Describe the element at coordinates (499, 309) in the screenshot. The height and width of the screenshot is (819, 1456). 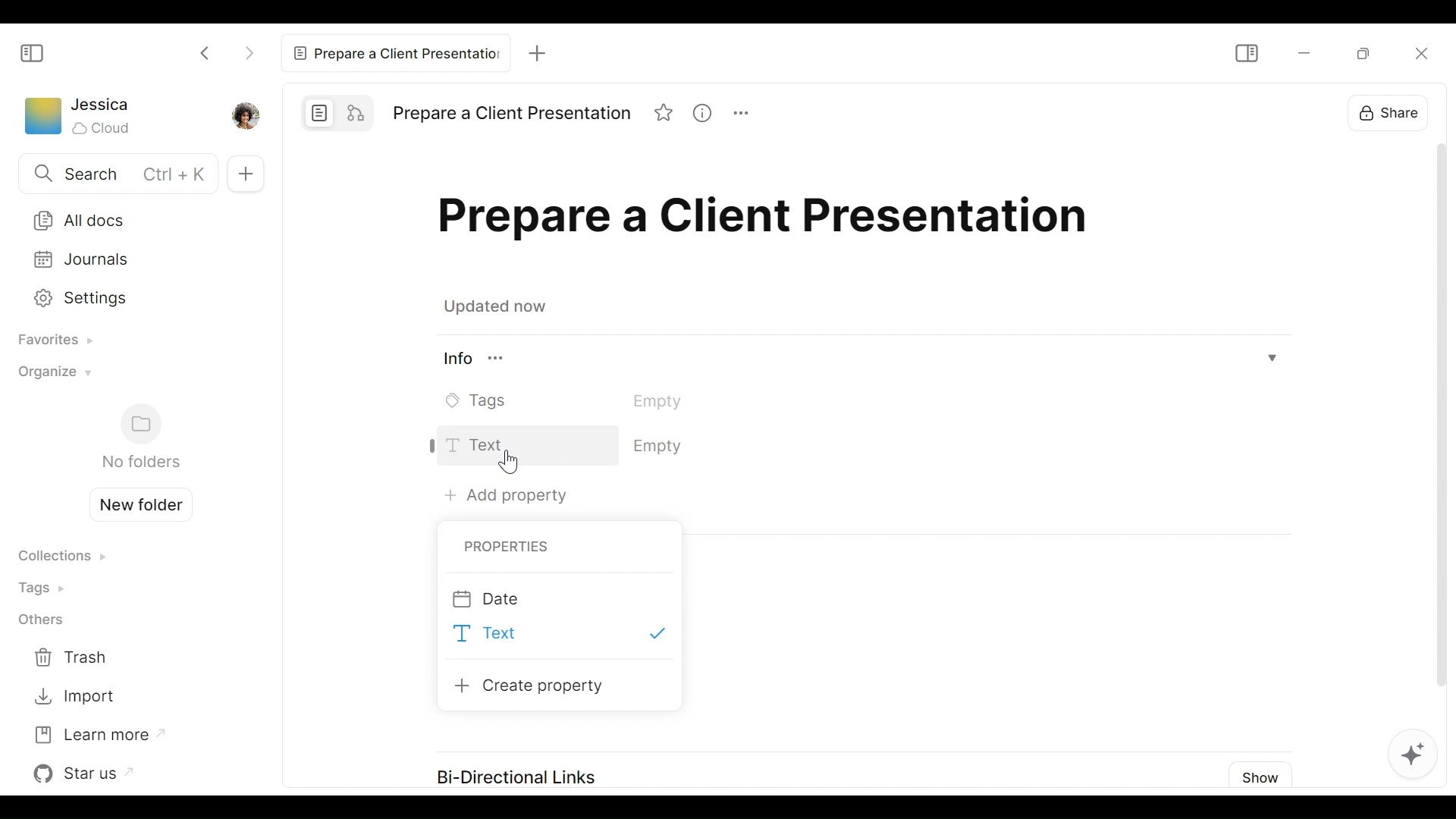
I see `Updated now` at that location.